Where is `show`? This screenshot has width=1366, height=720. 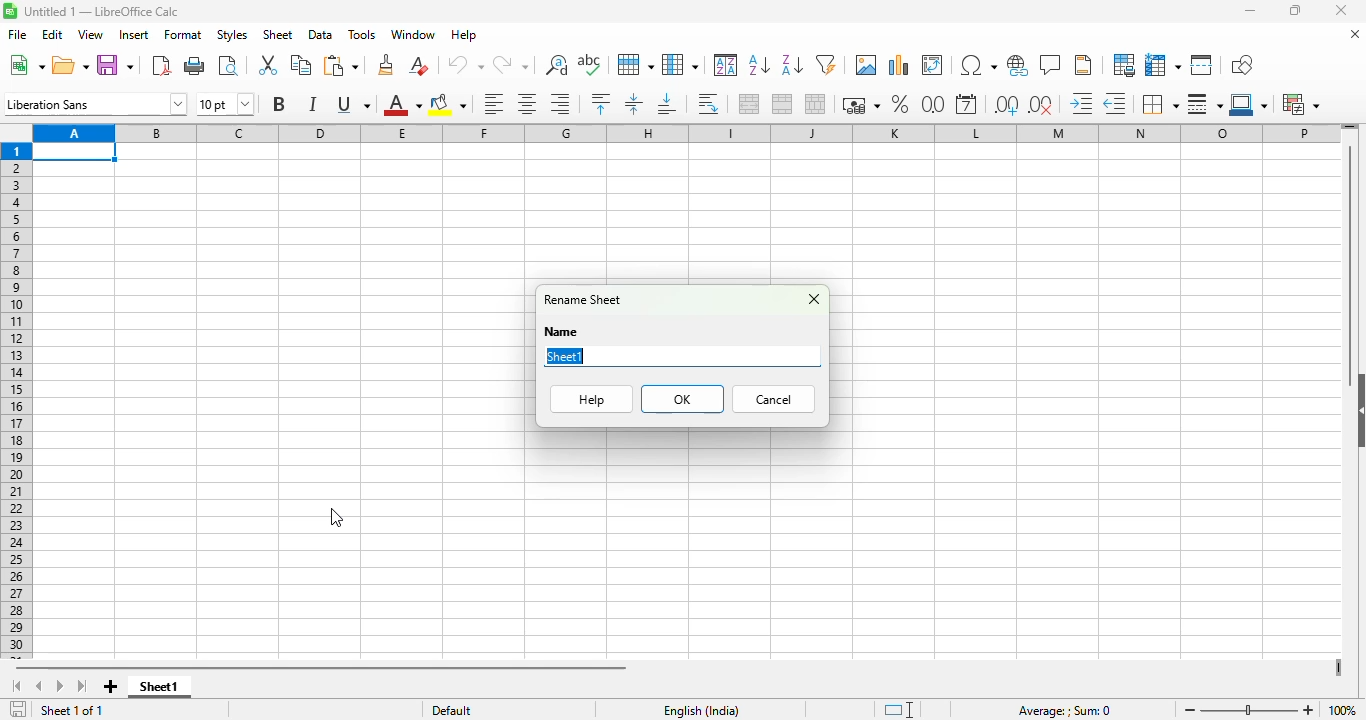
show is located at coordinates (1357, 410).